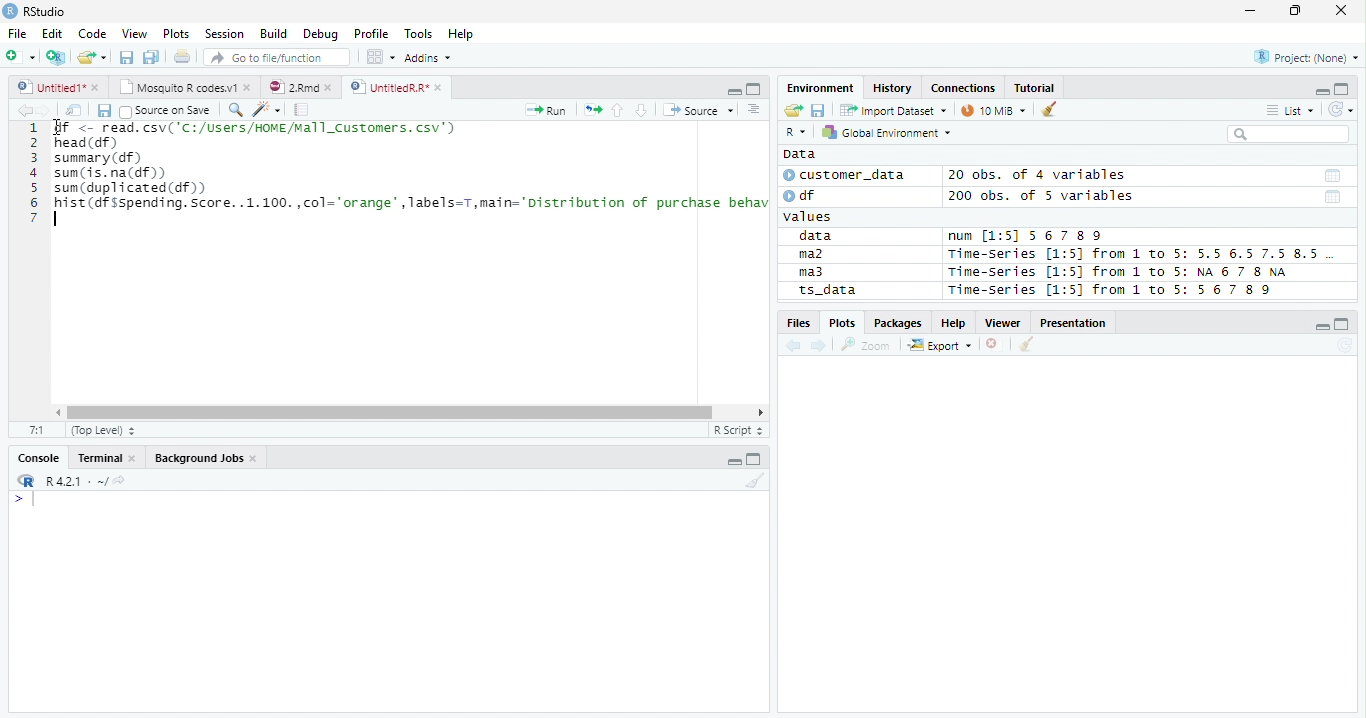 The width and height of the screenshot is (1366, 718). Describe the element at coordinates (463, 34) in the screenshot. I see `Help` at that location.